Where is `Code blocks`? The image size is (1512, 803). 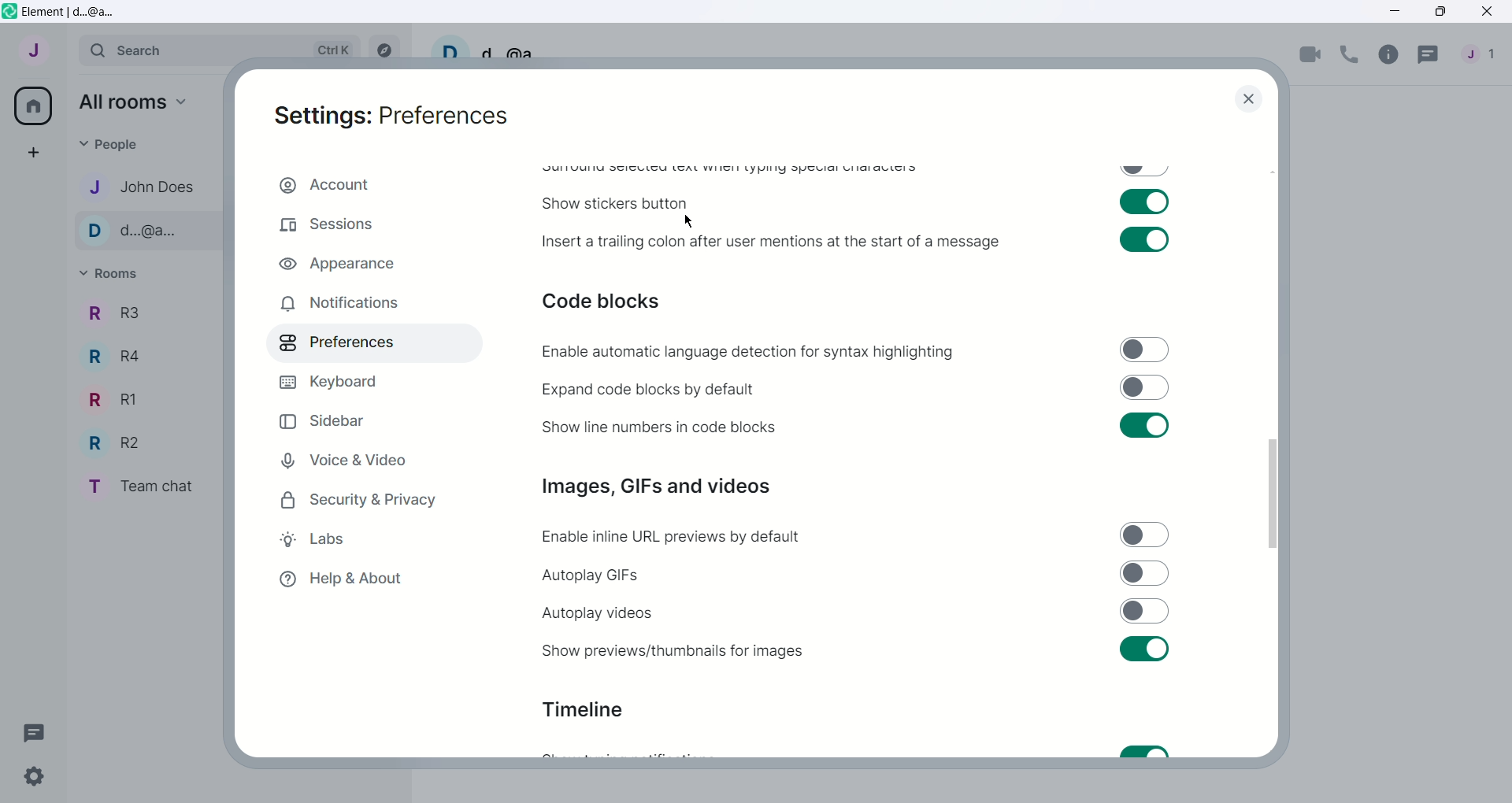
Code blocks is located at coordinates (602, 300).